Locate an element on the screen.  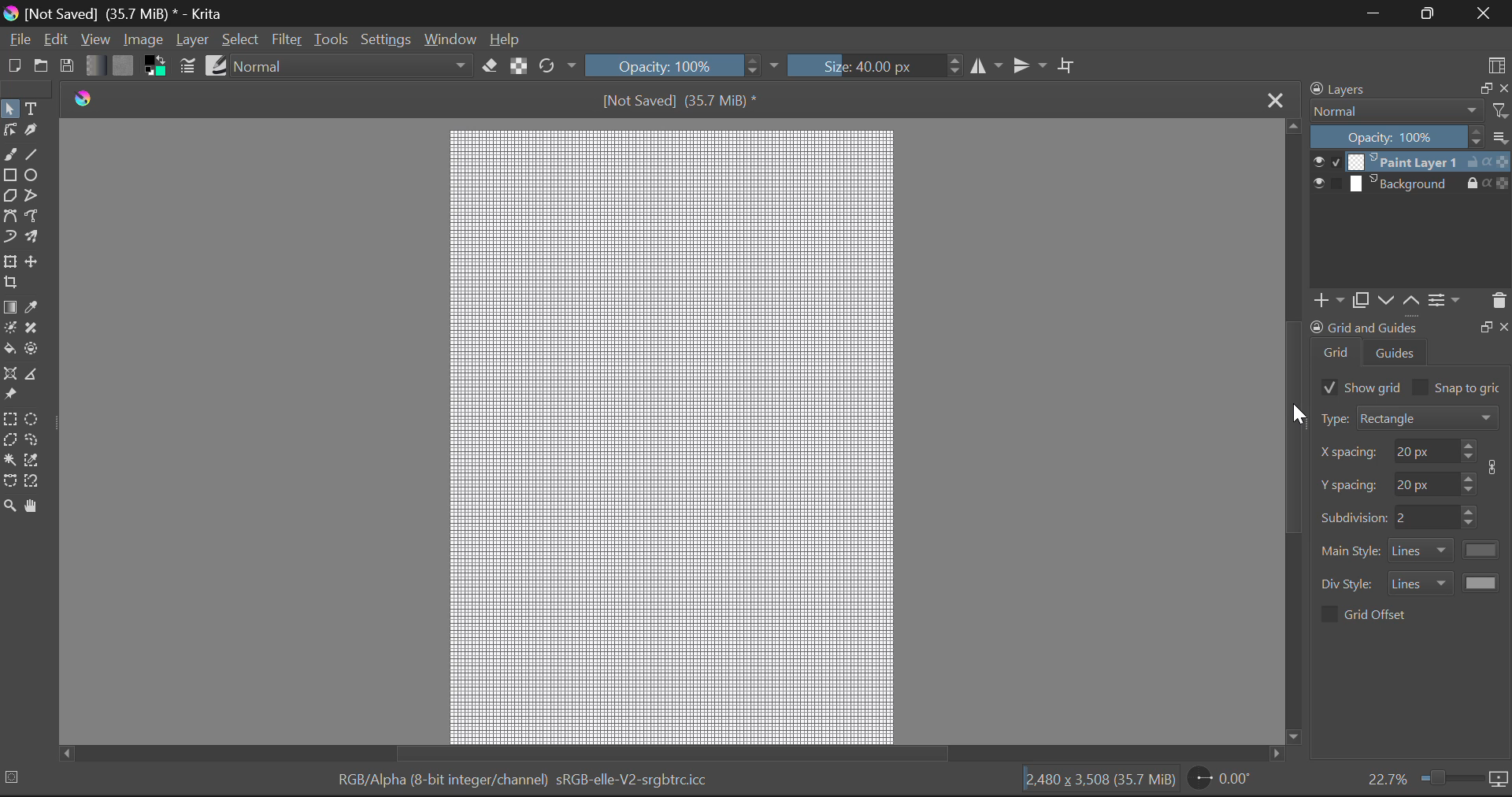
Freehand Selection is located at coordinates (34, 441).